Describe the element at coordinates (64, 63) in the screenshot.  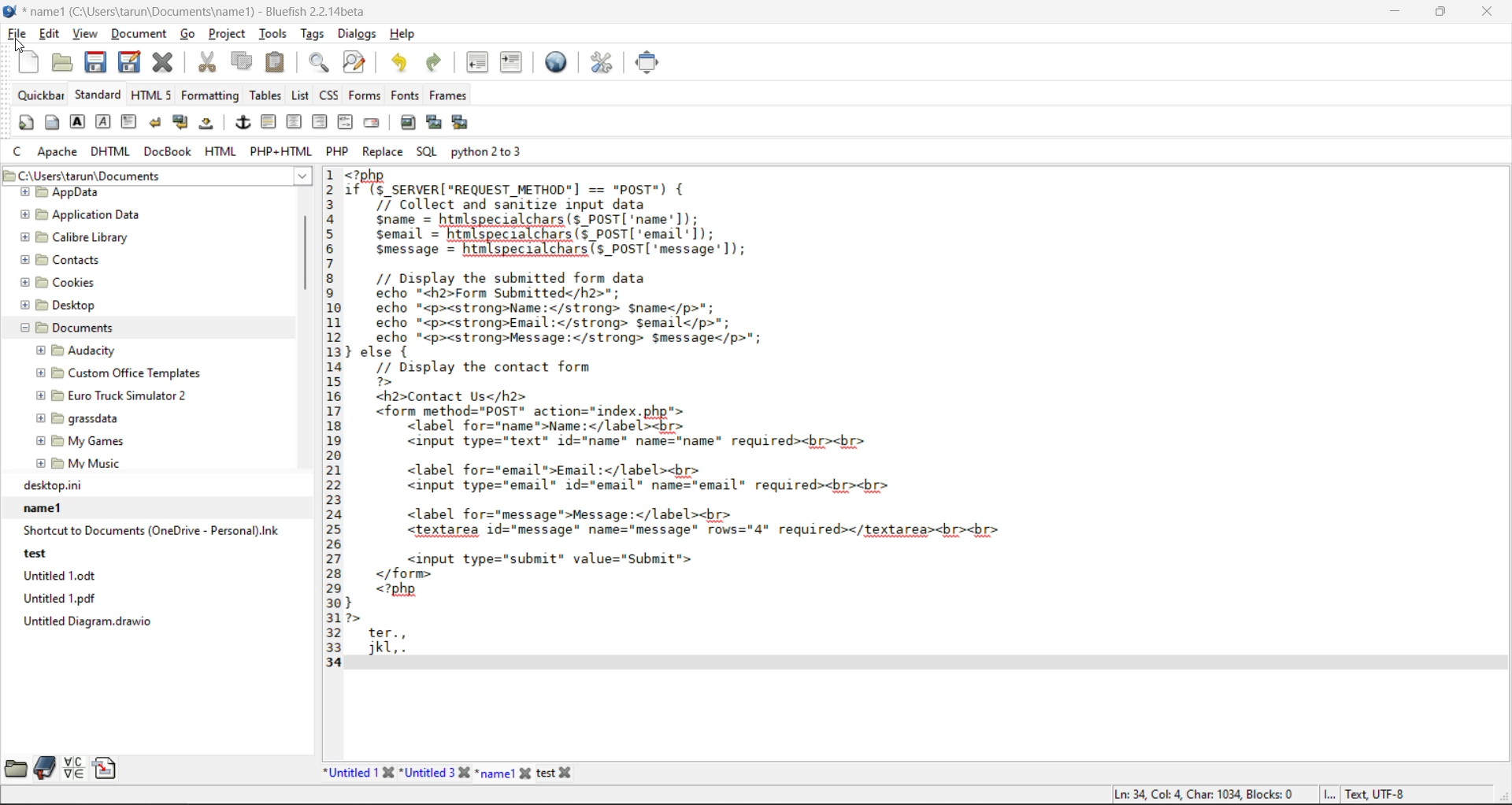
I see `open` at that location.